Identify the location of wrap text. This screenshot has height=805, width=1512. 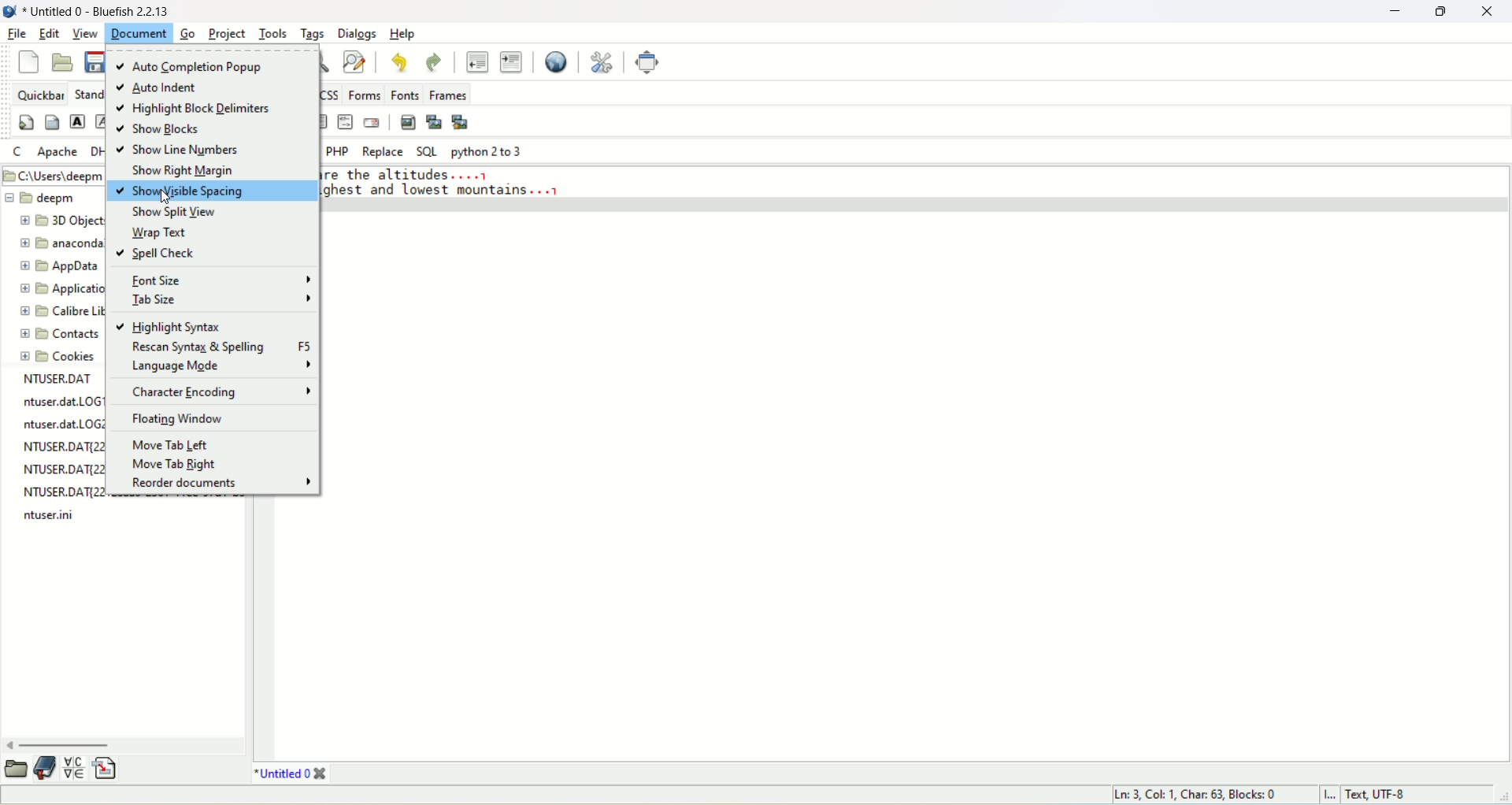
(157, 233).